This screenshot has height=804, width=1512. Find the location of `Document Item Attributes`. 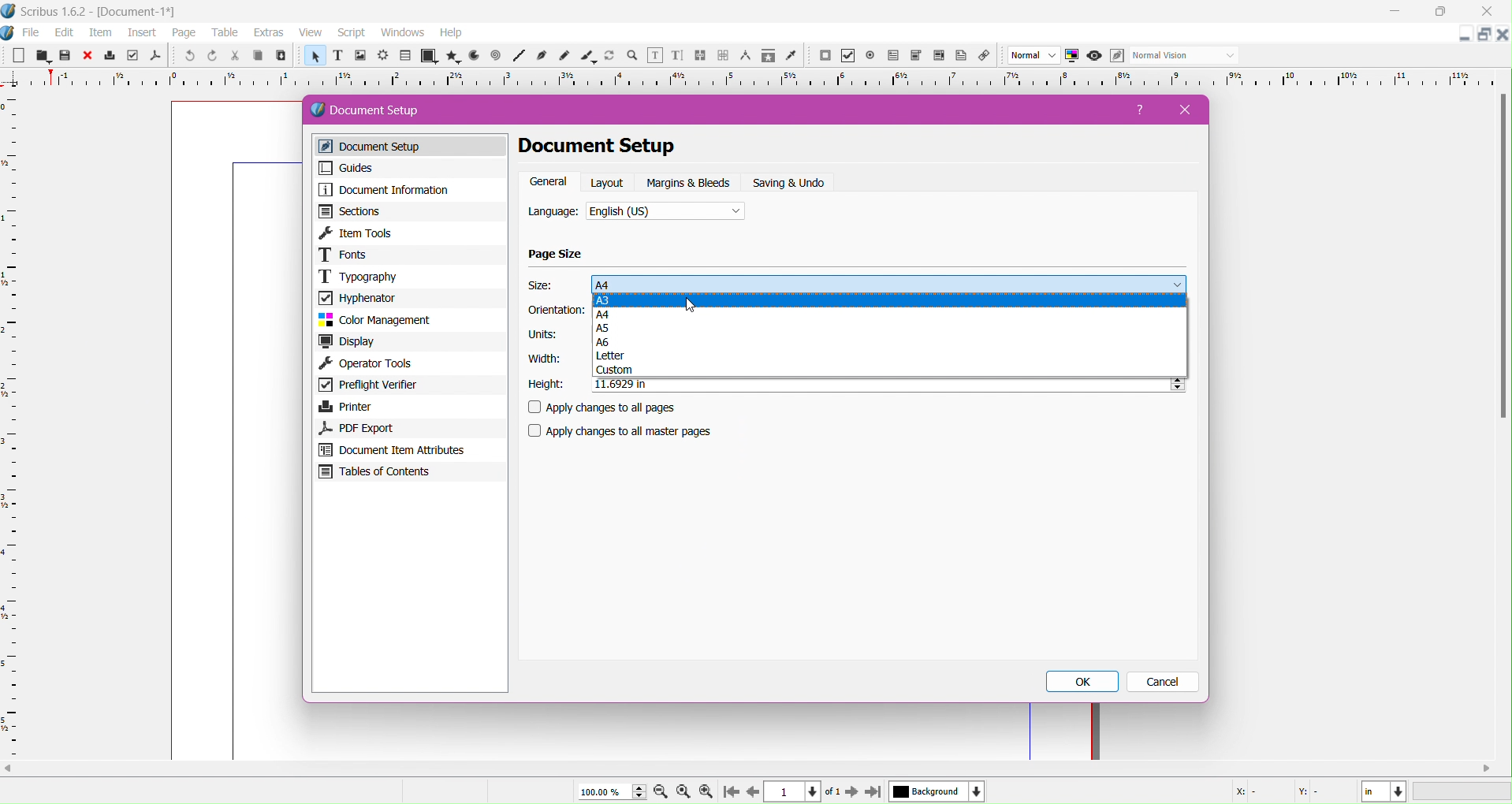

Document Item Attributes is located at coordinates (409, 450).